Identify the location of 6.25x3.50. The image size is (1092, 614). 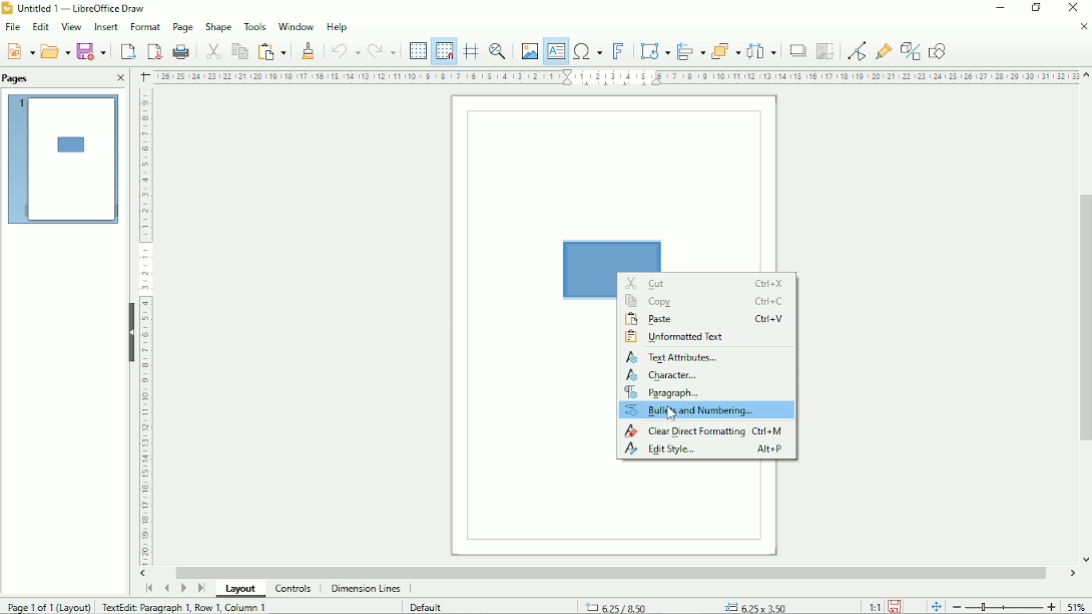
(755, 605).